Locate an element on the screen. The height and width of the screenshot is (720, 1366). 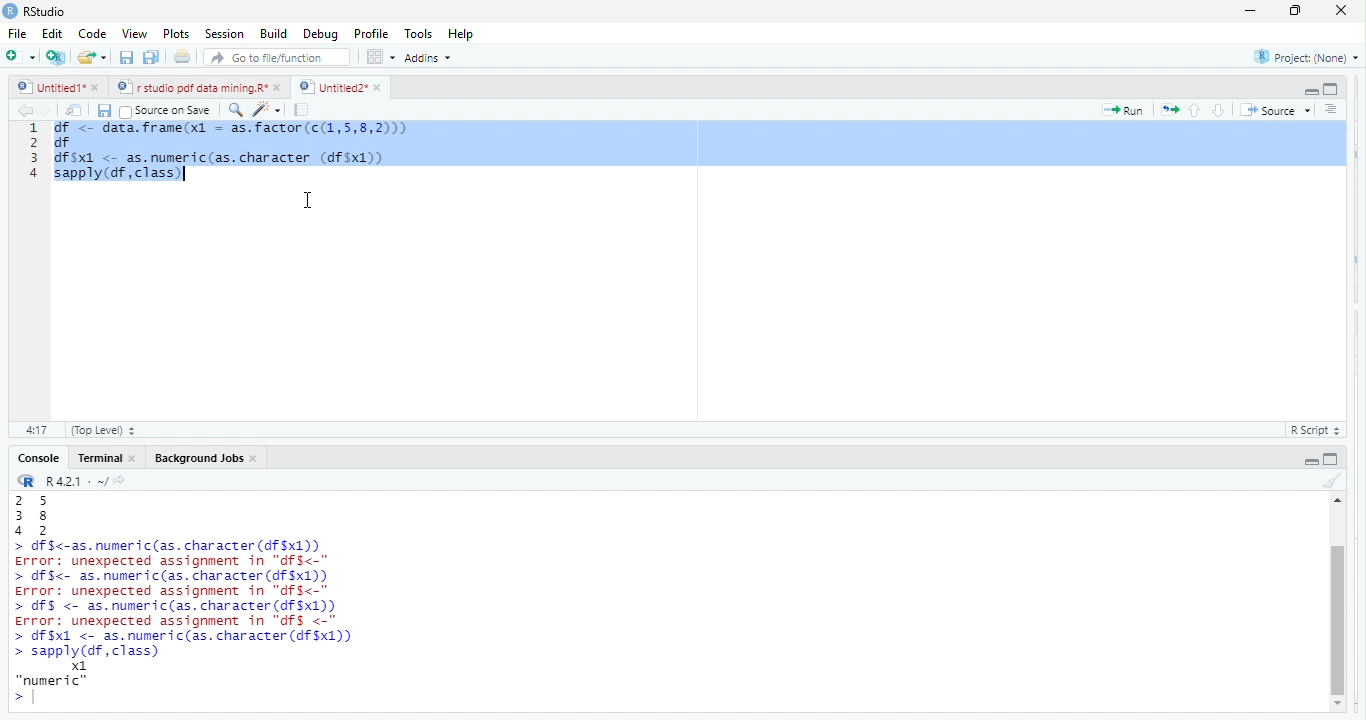
1:1 is located at coordinates (37, 430).